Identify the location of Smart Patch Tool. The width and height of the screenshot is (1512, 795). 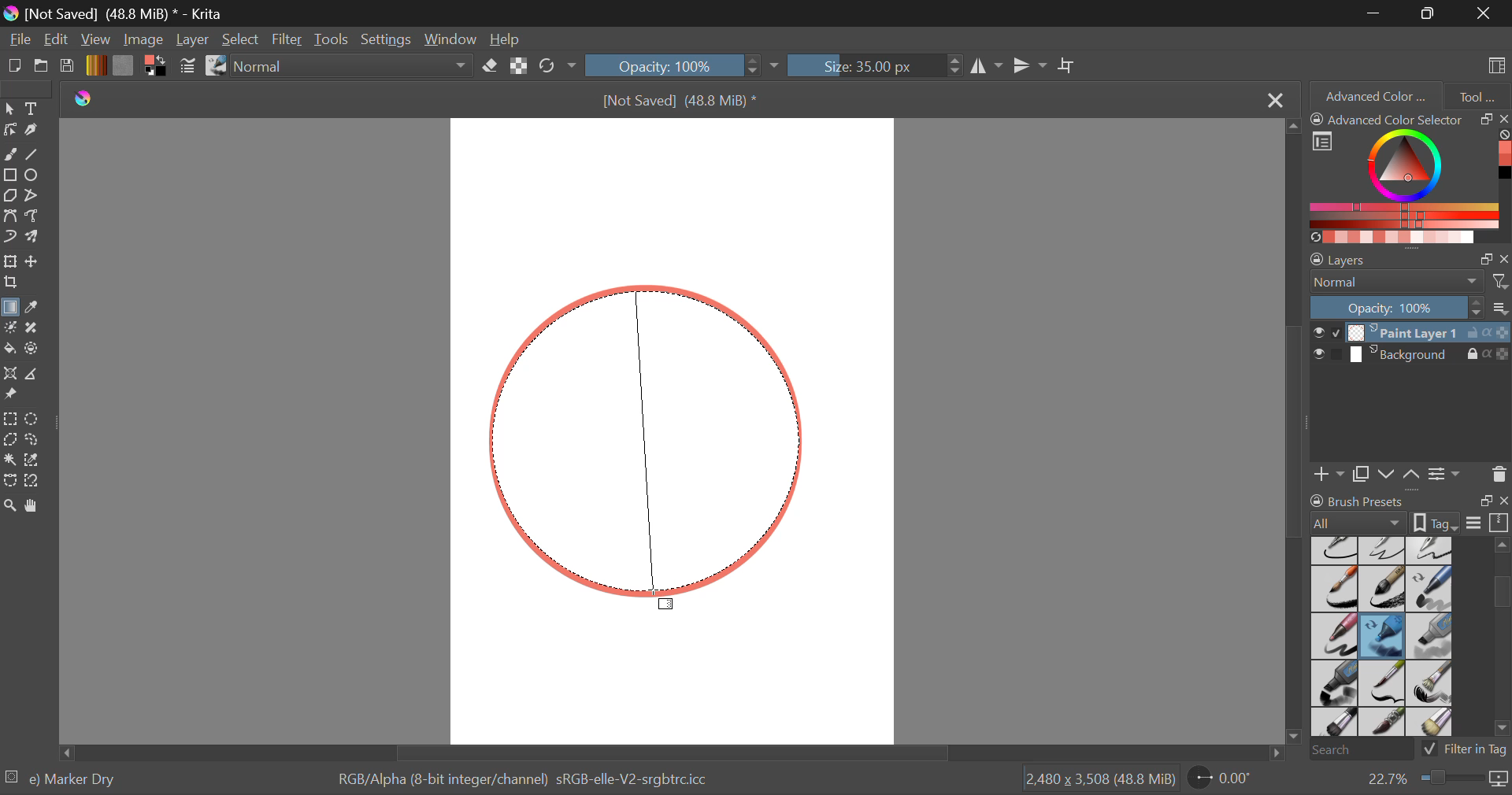
(35, 329).